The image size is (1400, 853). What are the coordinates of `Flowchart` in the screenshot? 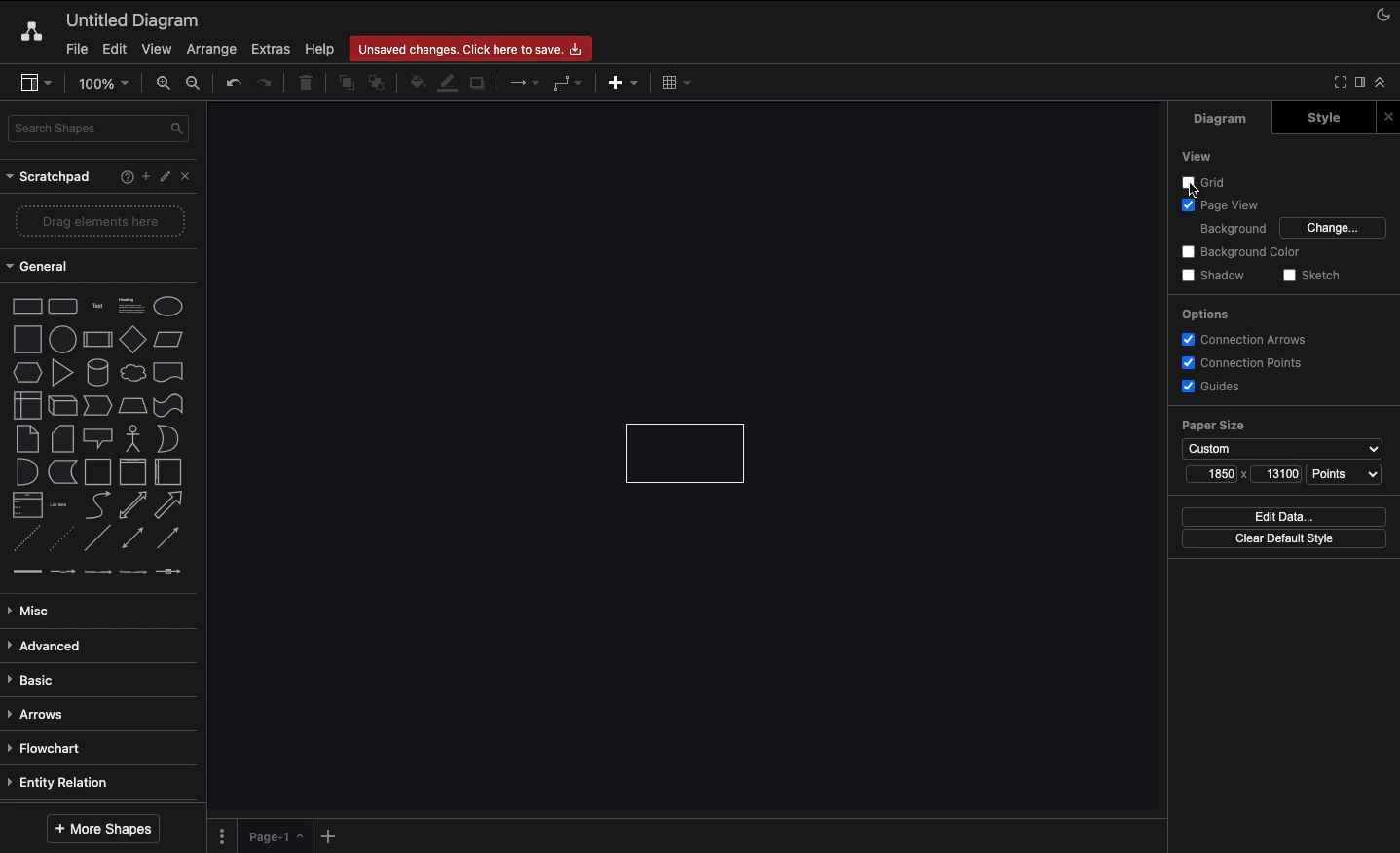 It's located at (57, 750).